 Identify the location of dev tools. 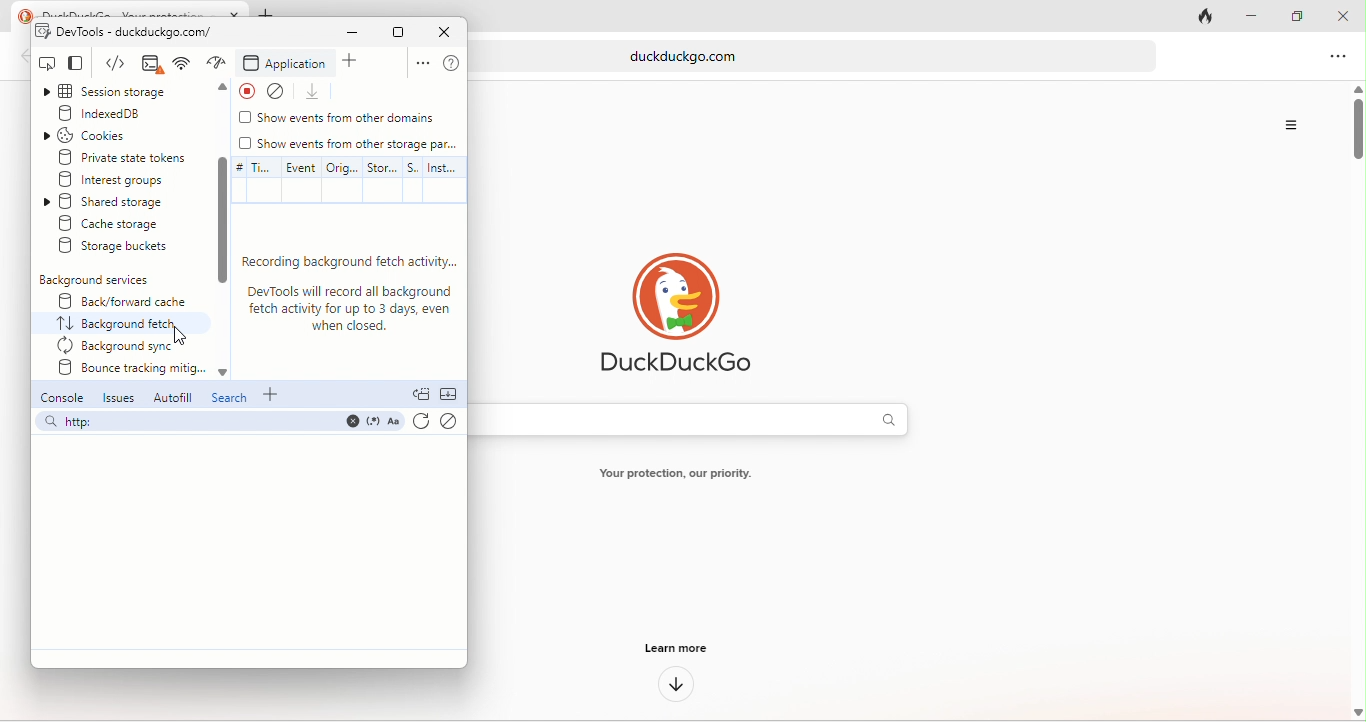
(126, 32).